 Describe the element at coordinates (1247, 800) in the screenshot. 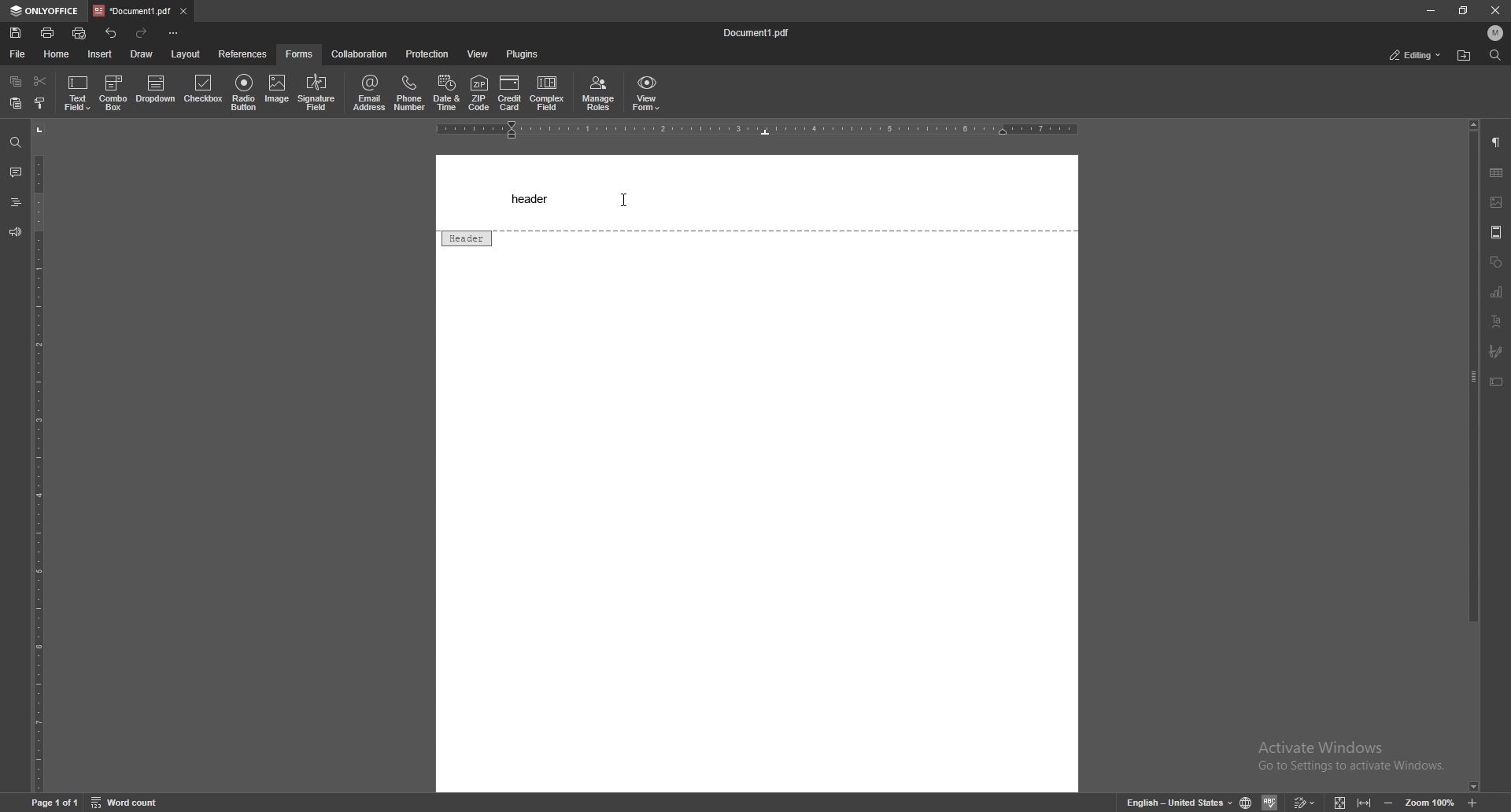

I see `change doc language` at that location.